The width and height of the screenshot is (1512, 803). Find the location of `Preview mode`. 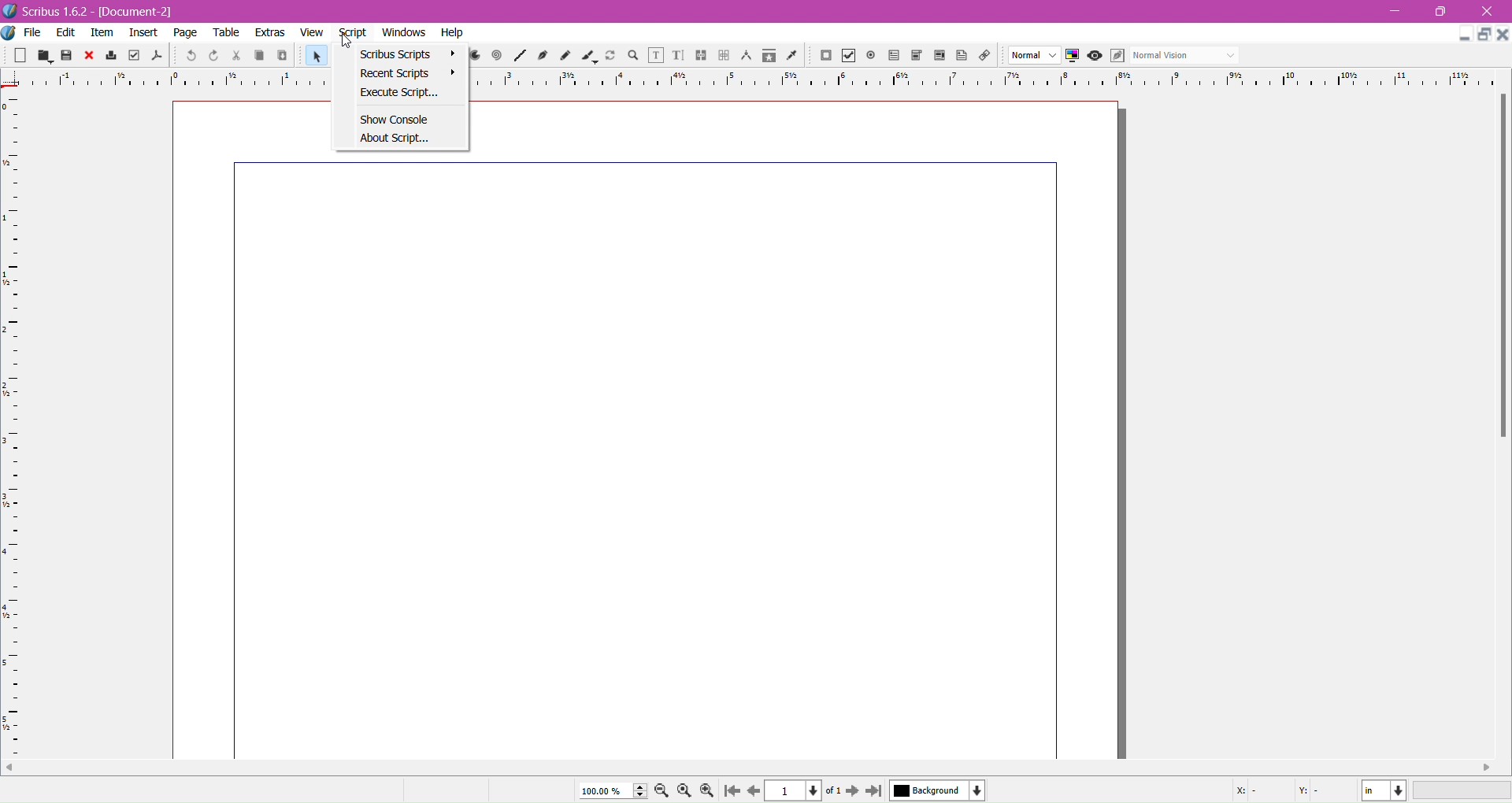

Preview mode is located at coordinates (1094, 55).